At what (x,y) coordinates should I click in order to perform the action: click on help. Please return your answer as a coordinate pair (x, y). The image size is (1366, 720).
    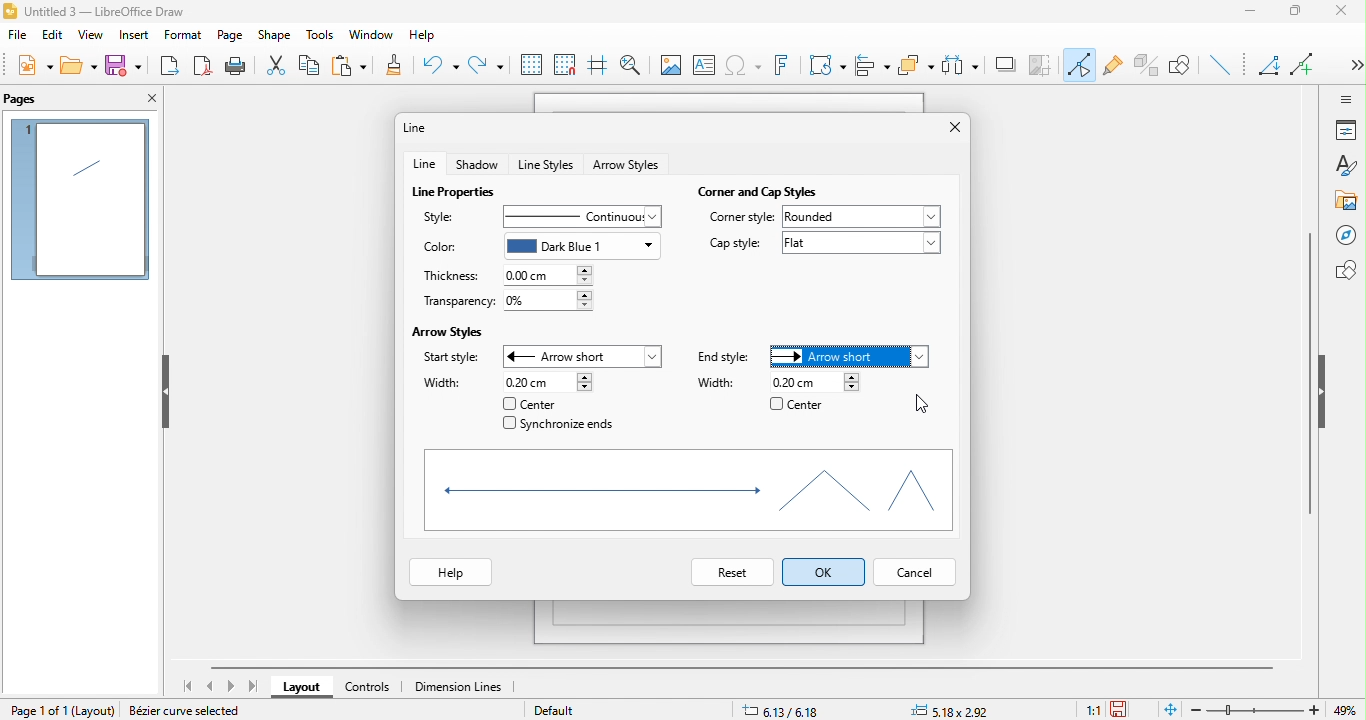
    Looking at the image, I should click on (452, 574).